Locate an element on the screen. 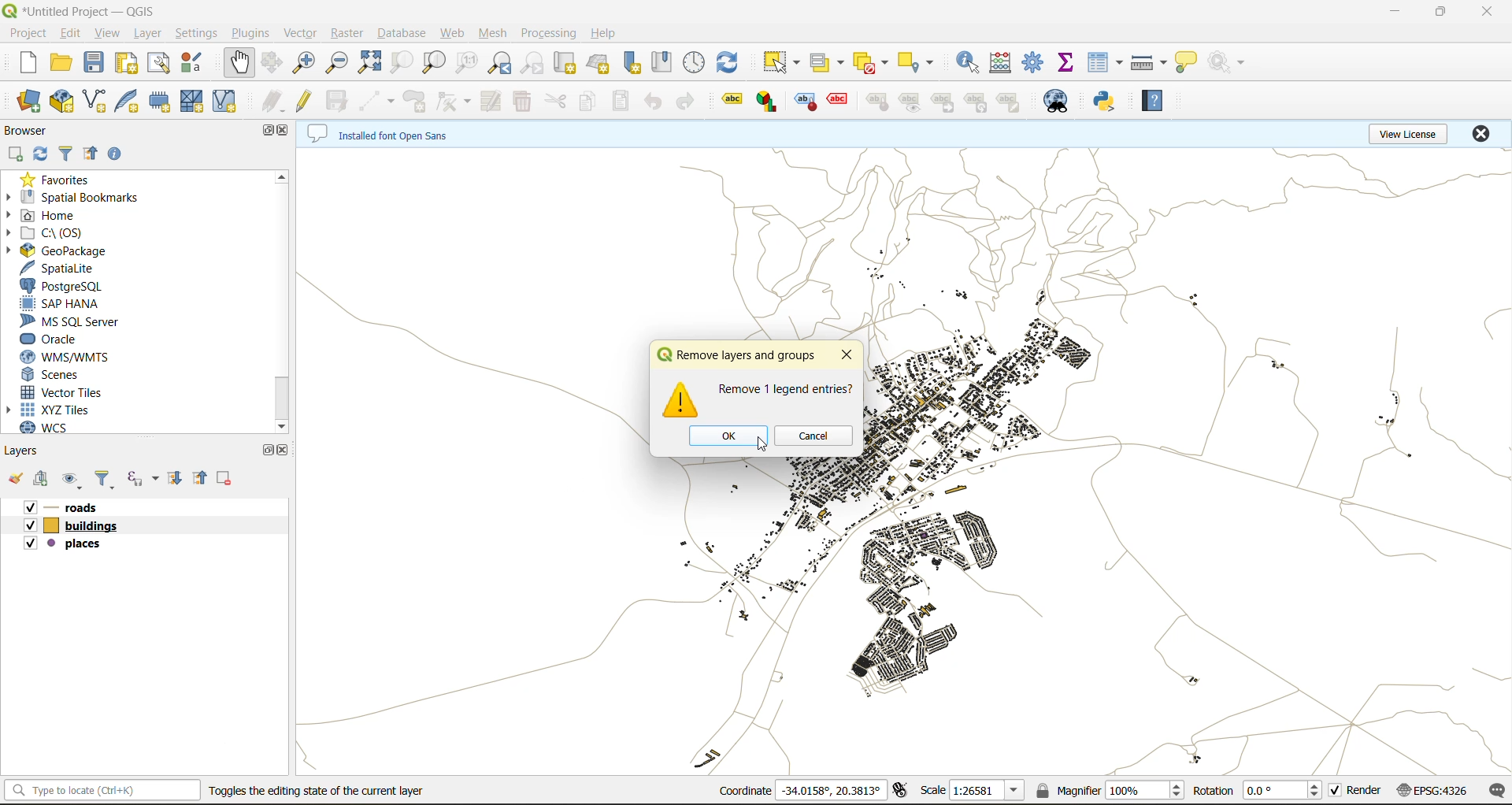 The height and width of the screenshot is (805, 1512). deselect is located at coordinates (870, 63).